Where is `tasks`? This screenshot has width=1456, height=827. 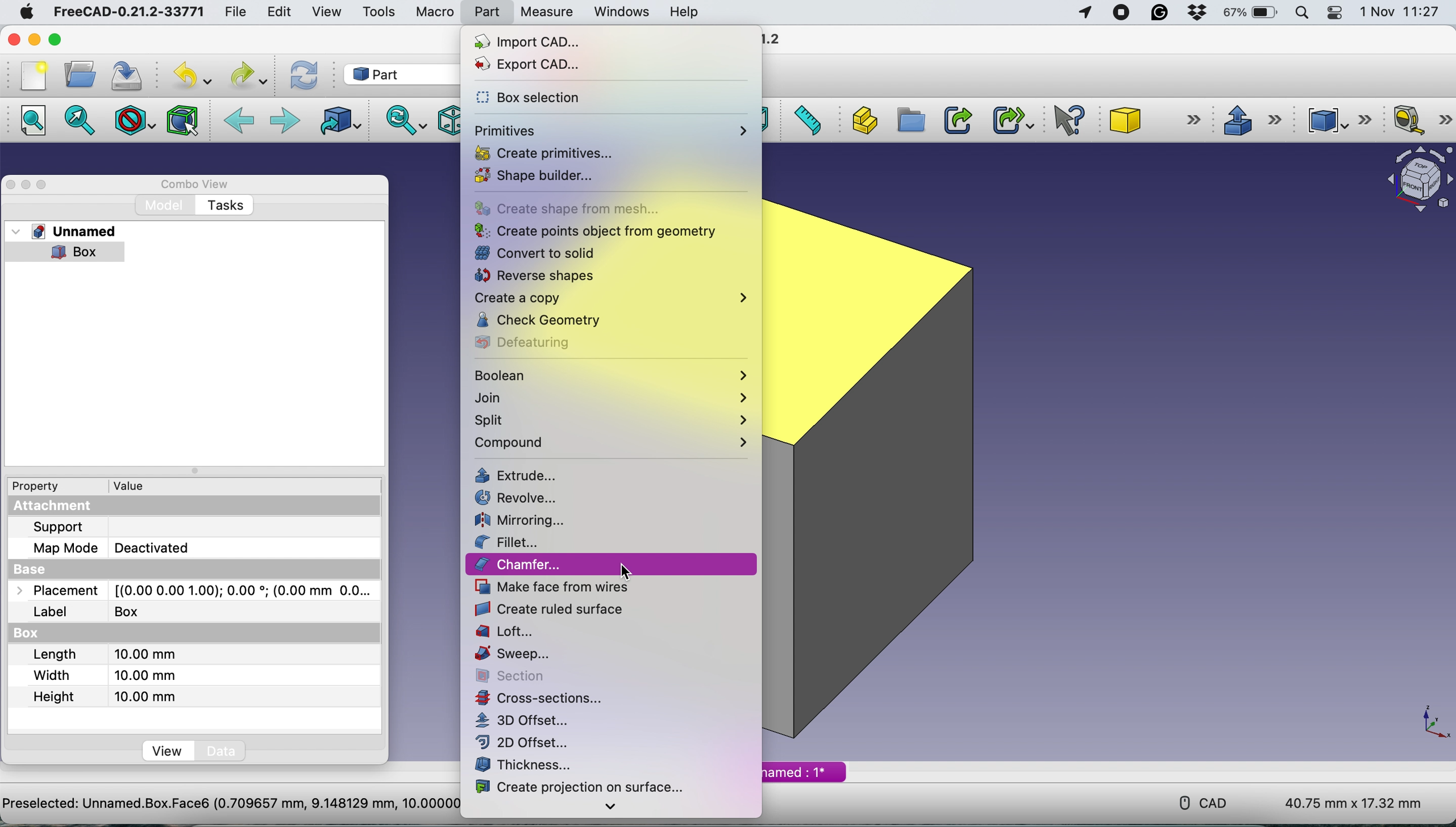 tasks is located at coordinates (227, 204).